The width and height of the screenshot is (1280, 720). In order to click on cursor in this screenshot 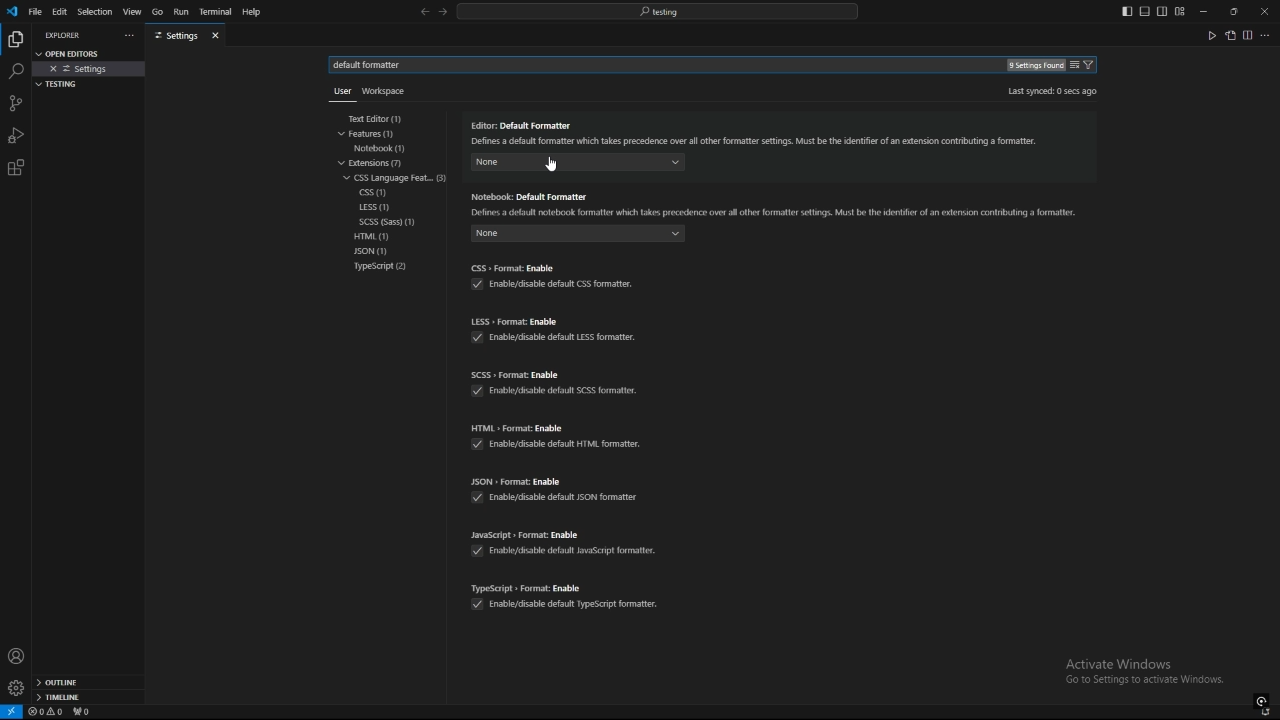, I will do `click(546, 169)`.